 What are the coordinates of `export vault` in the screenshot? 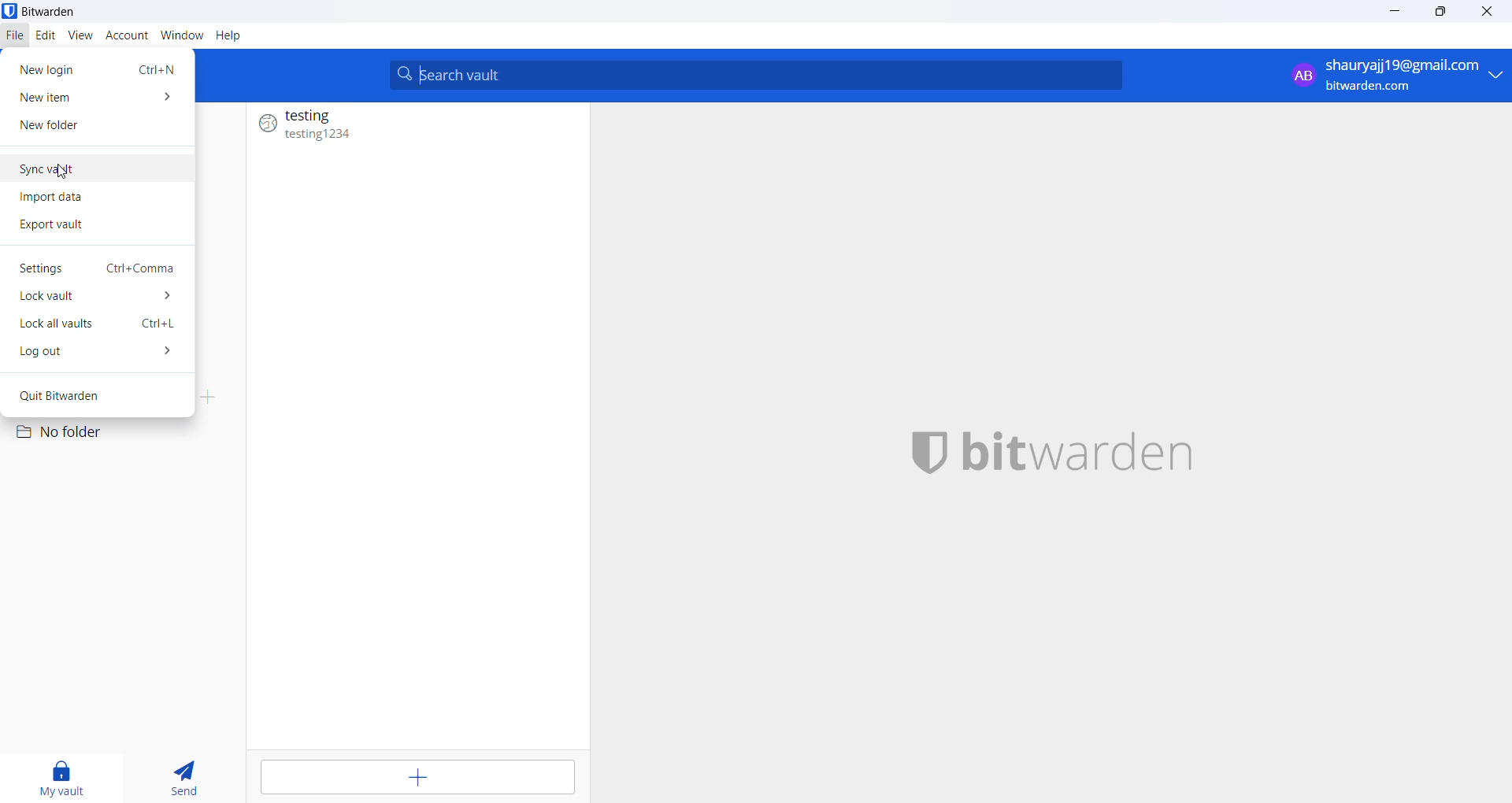 It's located at (102, 227).